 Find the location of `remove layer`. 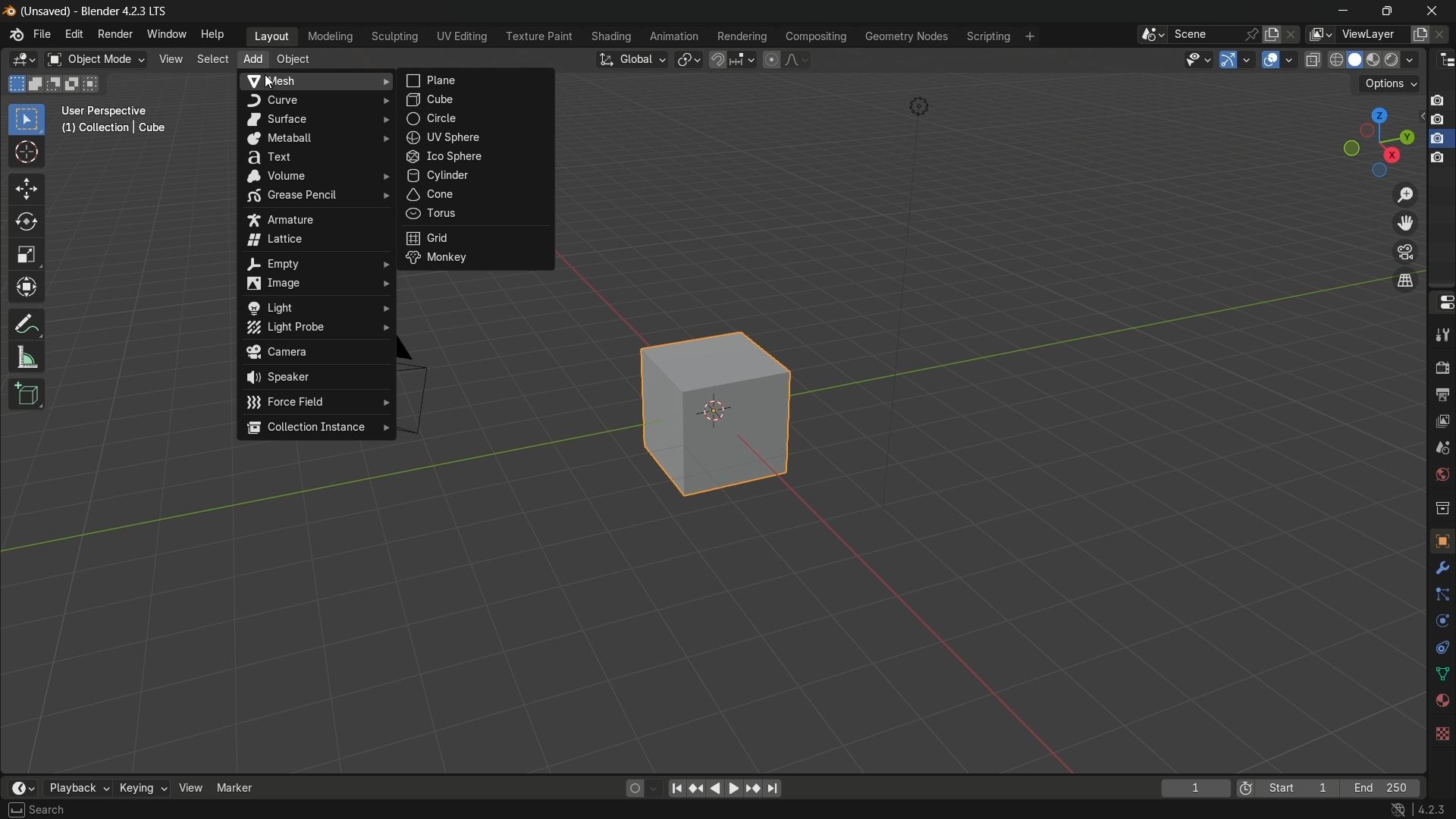

remove layer is located at coordinates (1442, 34).